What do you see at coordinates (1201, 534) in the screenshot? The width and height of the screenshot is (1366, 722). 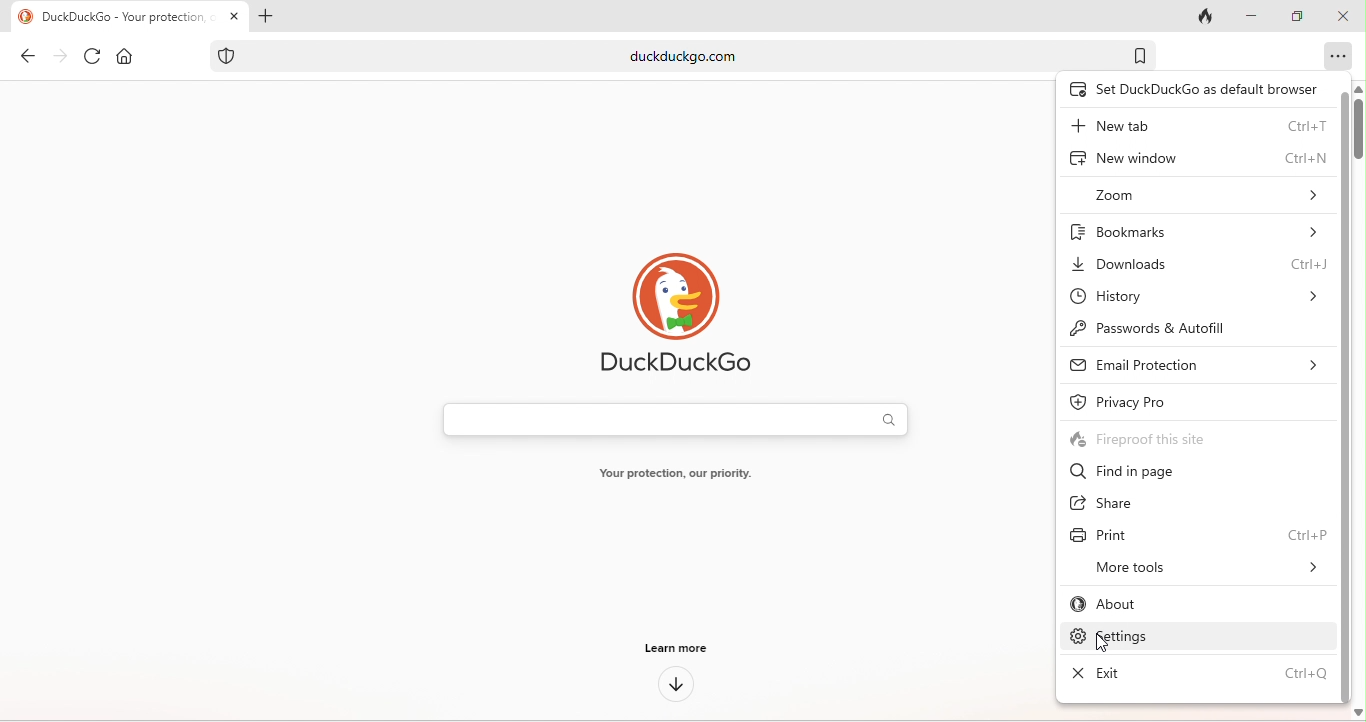 I see `print` at bounding box center [1201, 534].